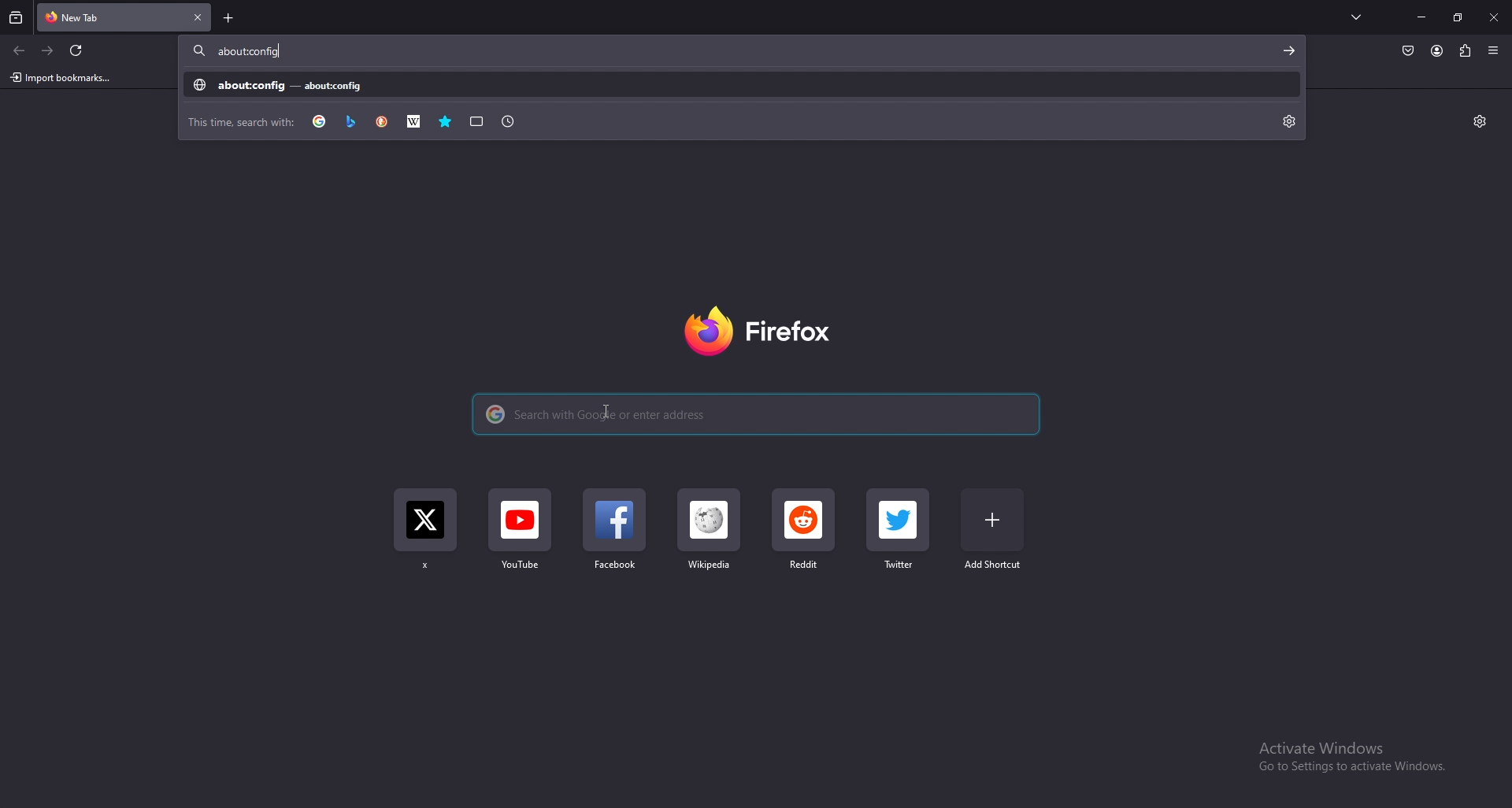  Describe the element at coordinates (992, 529) in the screenshot. I see `add shortcut` at that location.